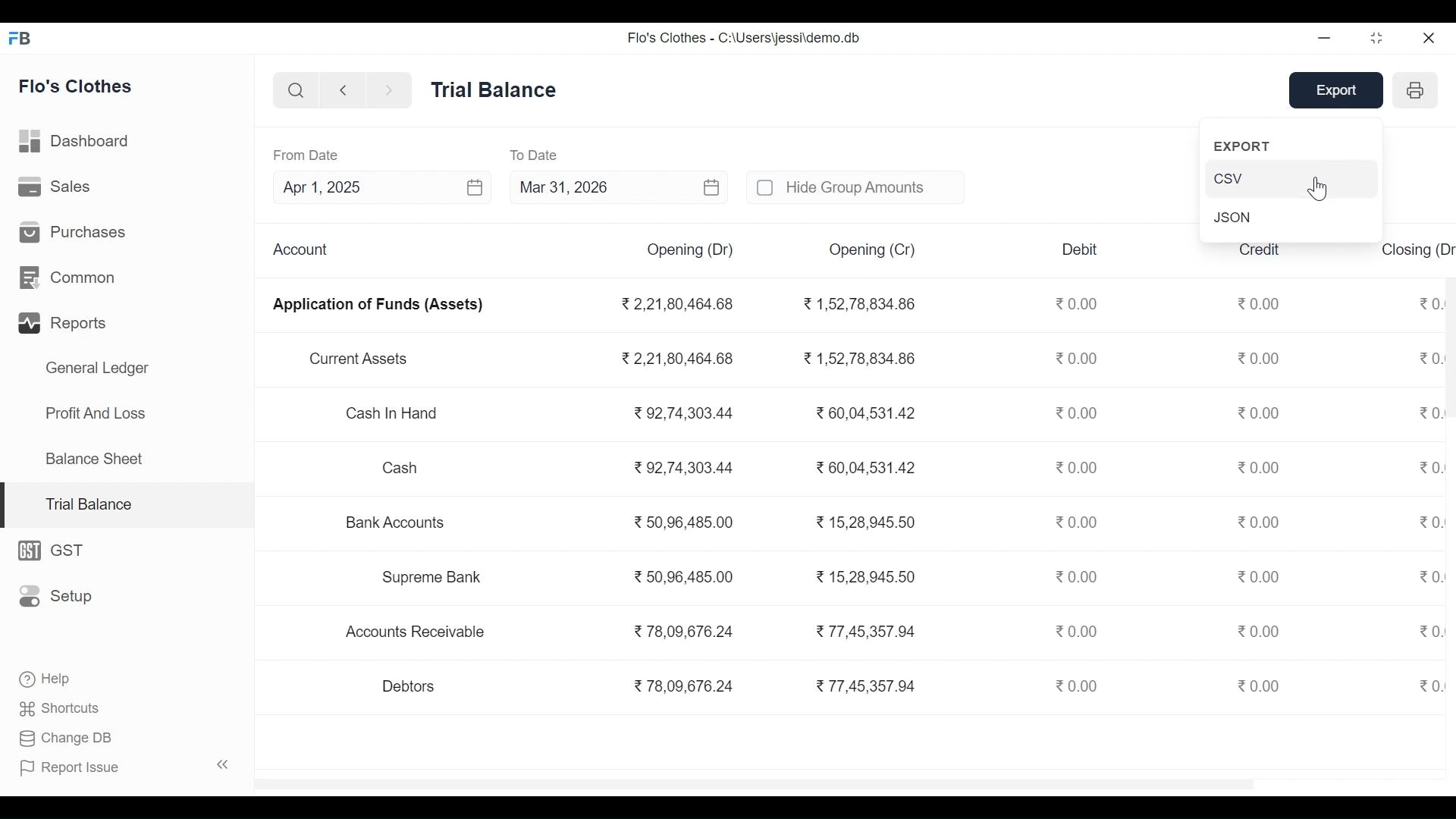 The height and width of the screenshot is (819, 1456). I want to click on Mar 31, 2026, so click(620, 187).